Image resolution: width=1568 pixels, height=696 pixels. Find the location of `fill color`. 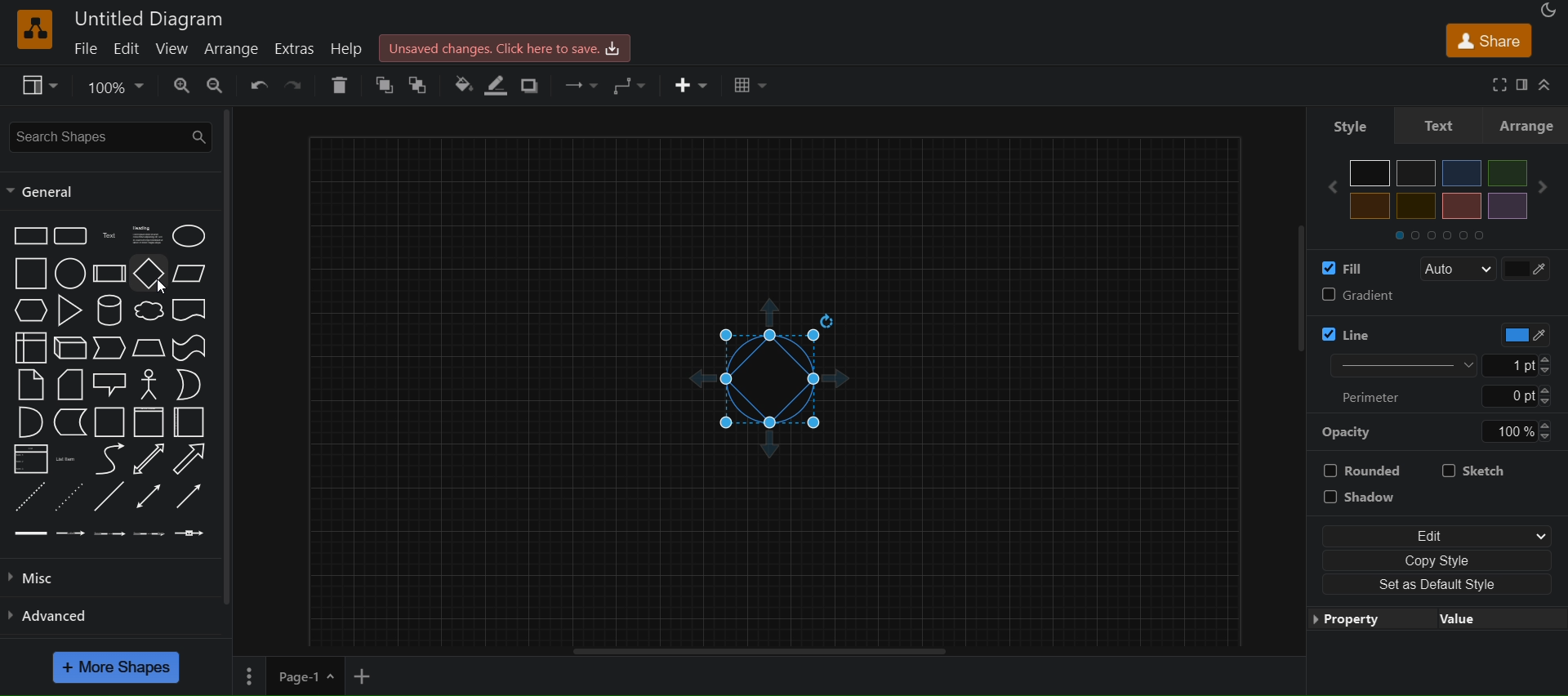

fill color is located at coordinates (461, 83).